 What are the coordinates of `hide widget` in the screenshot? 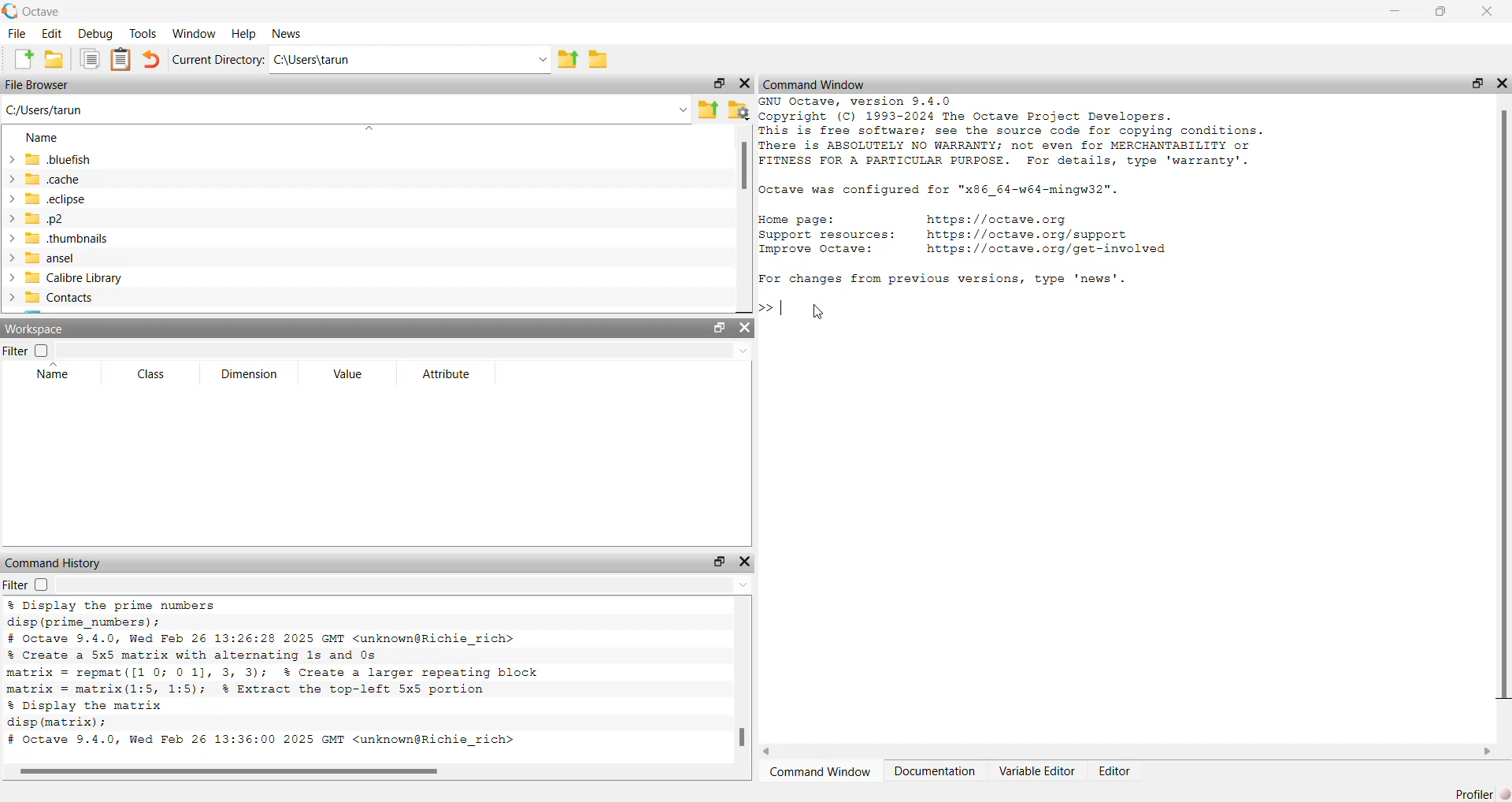 It's located at (746, 329).